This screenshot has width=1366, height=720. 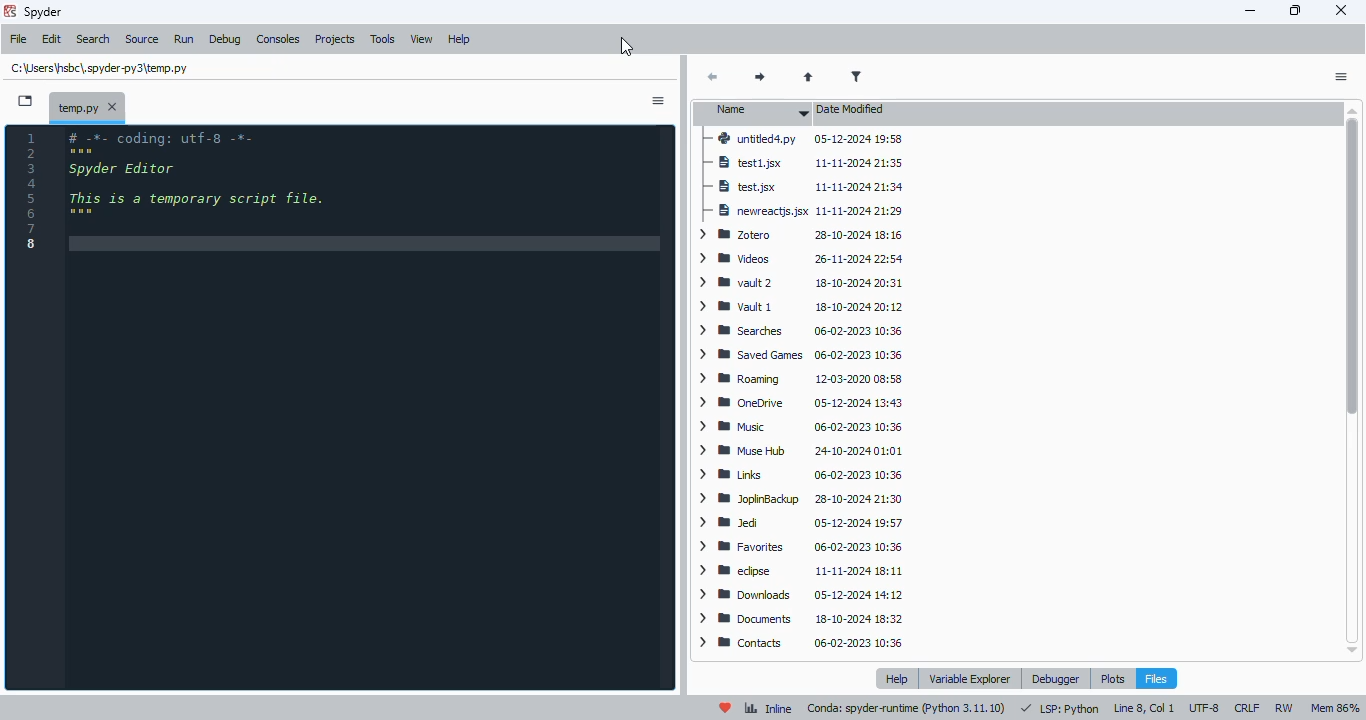 What do you see at coordinates (461, 39) in the screenshot?
I see `help` at bounding box center [461, 39].